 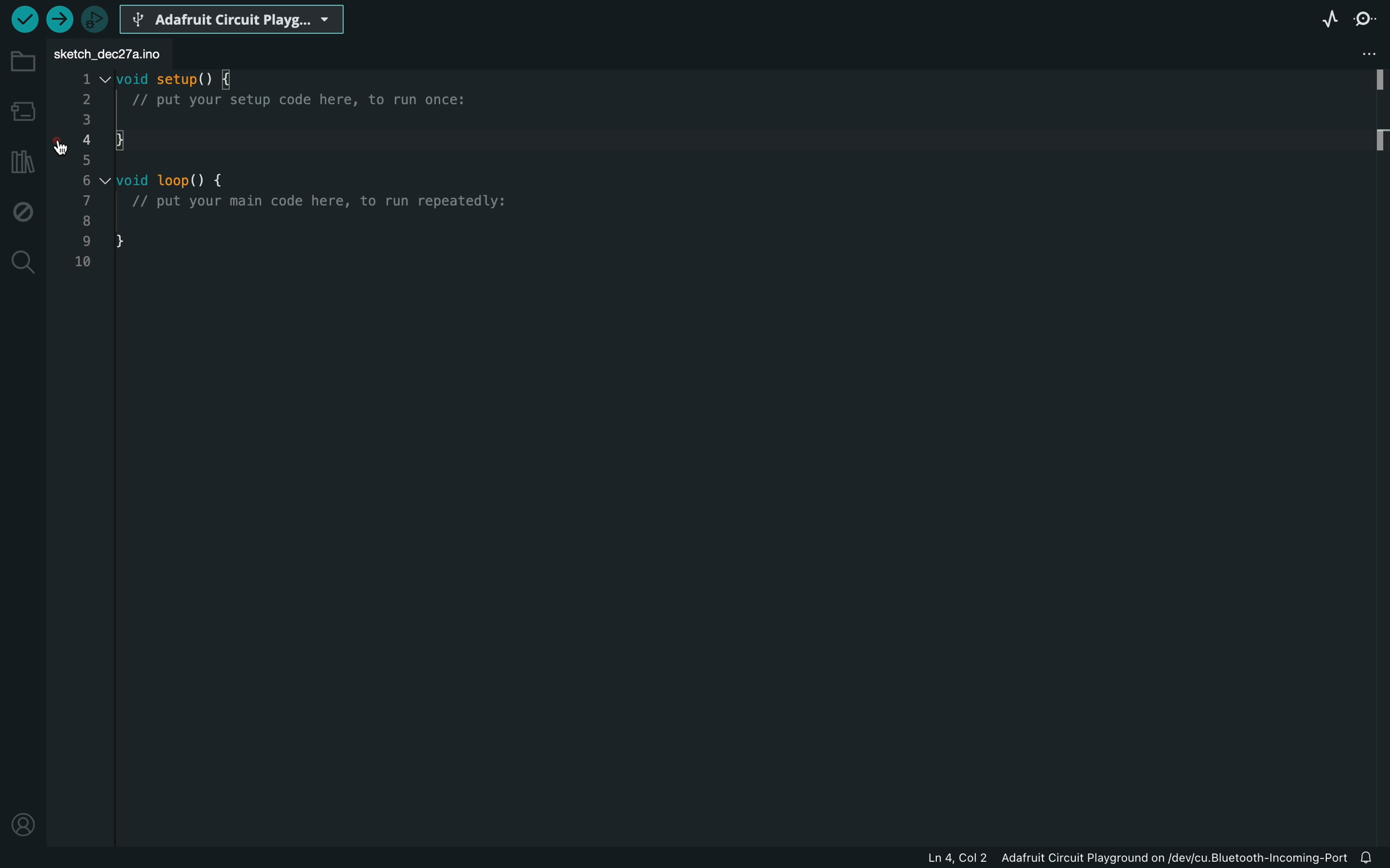 I want to click on board manager, so click(x=22, y=111).